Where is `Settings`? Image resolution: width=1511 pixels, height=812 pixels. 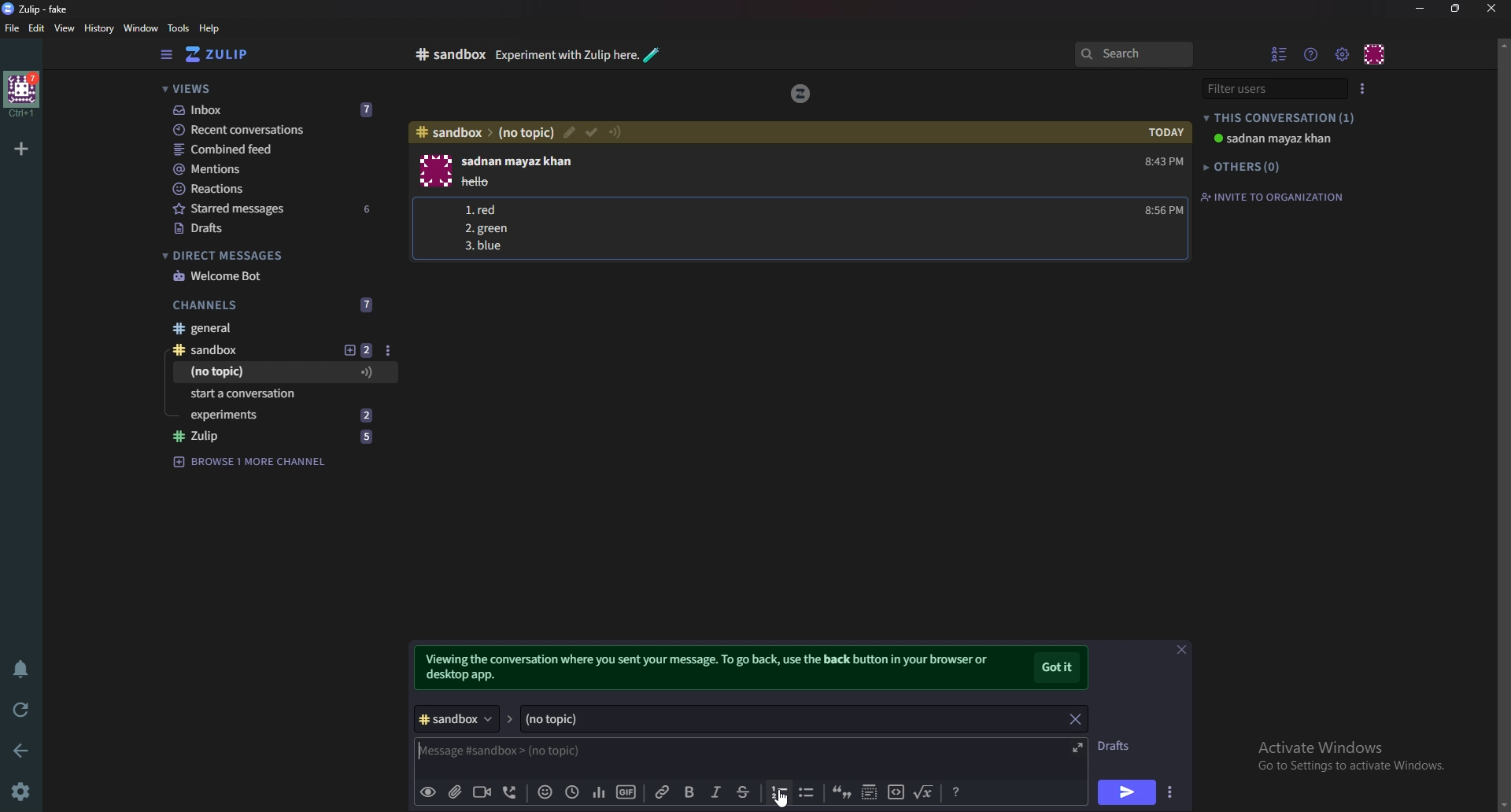
Settings is located at coordinates (24, 791).